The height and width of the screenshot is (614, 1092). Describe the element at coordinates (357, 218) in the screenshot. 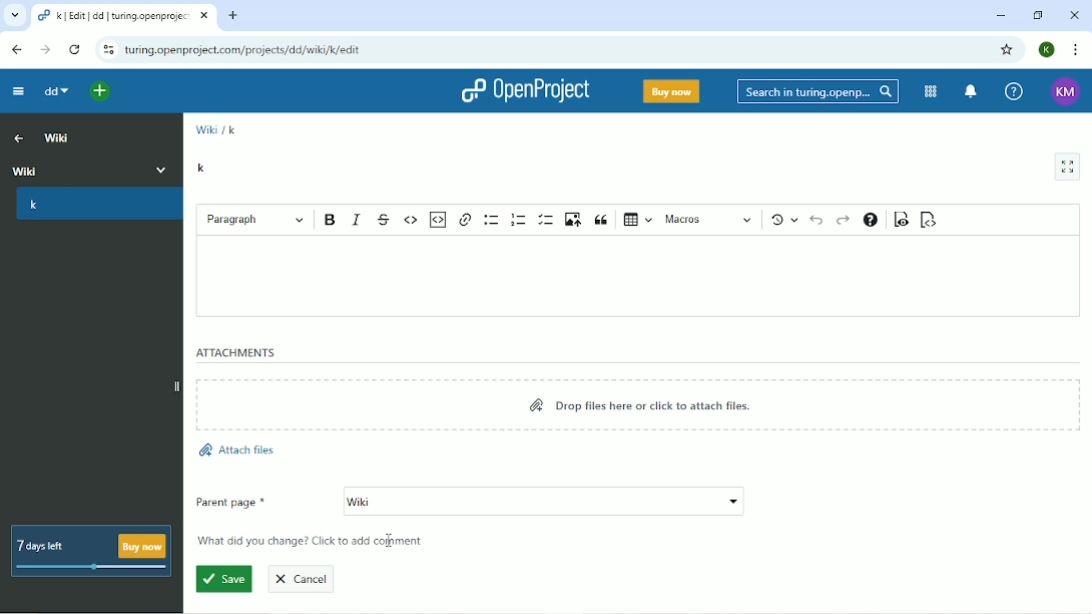

I see `Italic` at that location.